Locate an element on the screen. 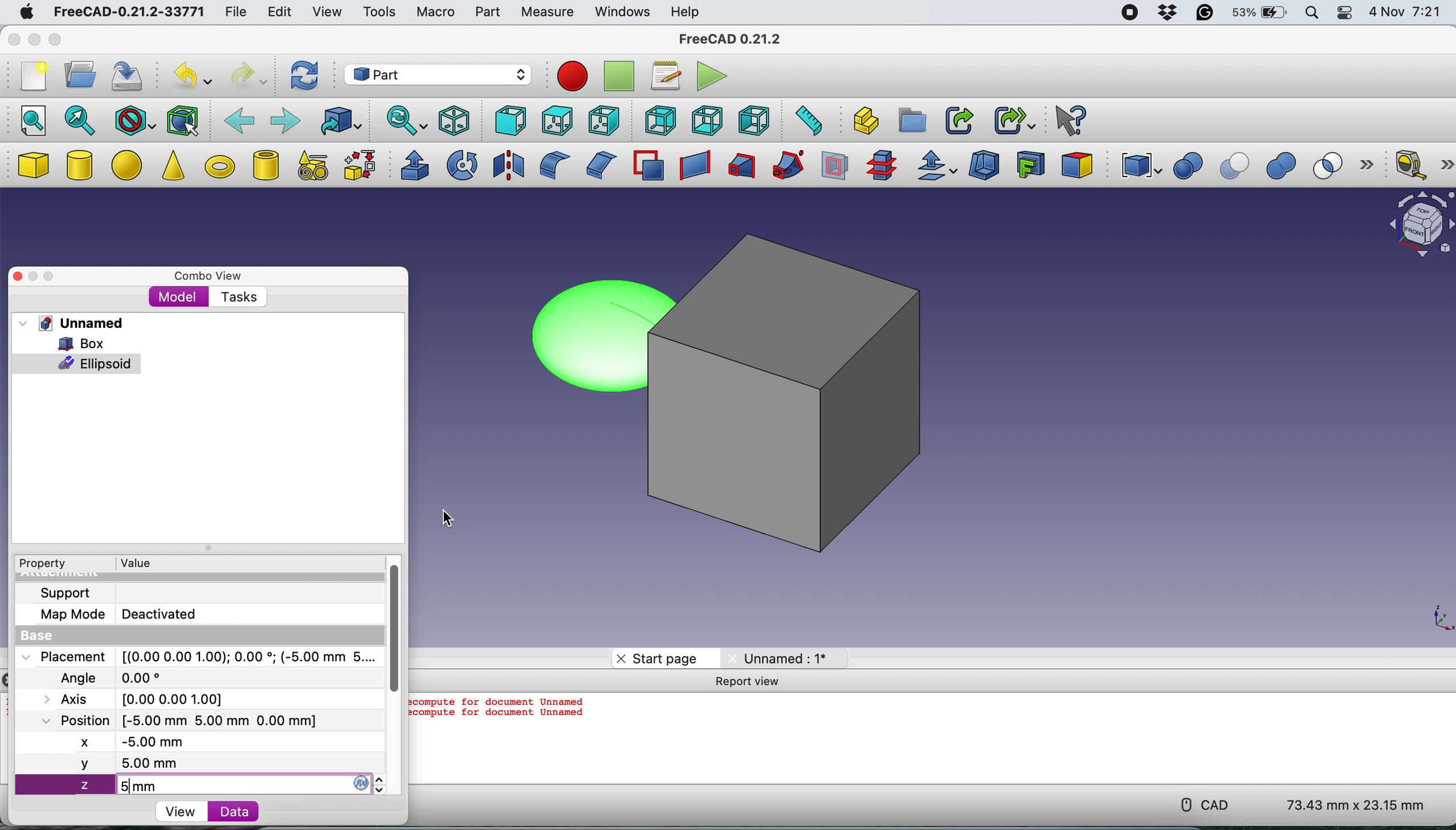 Image resolution: width=1456 pixels, height=830 pixels. cursor is located at coordinates (447, 518).